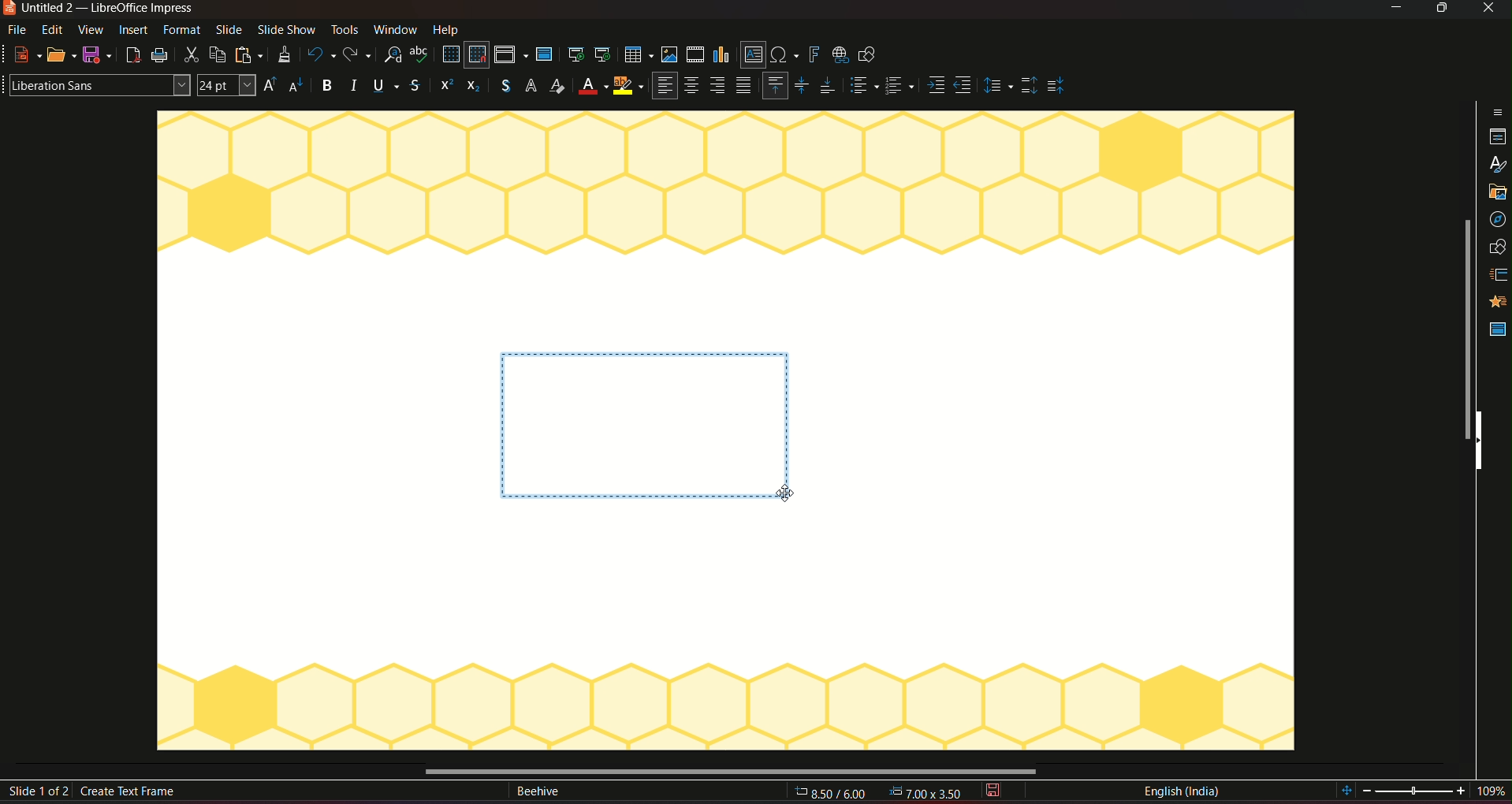  Describe the element at coordinates (745, 87) in the screenshot. I see `paragraph` at that location.